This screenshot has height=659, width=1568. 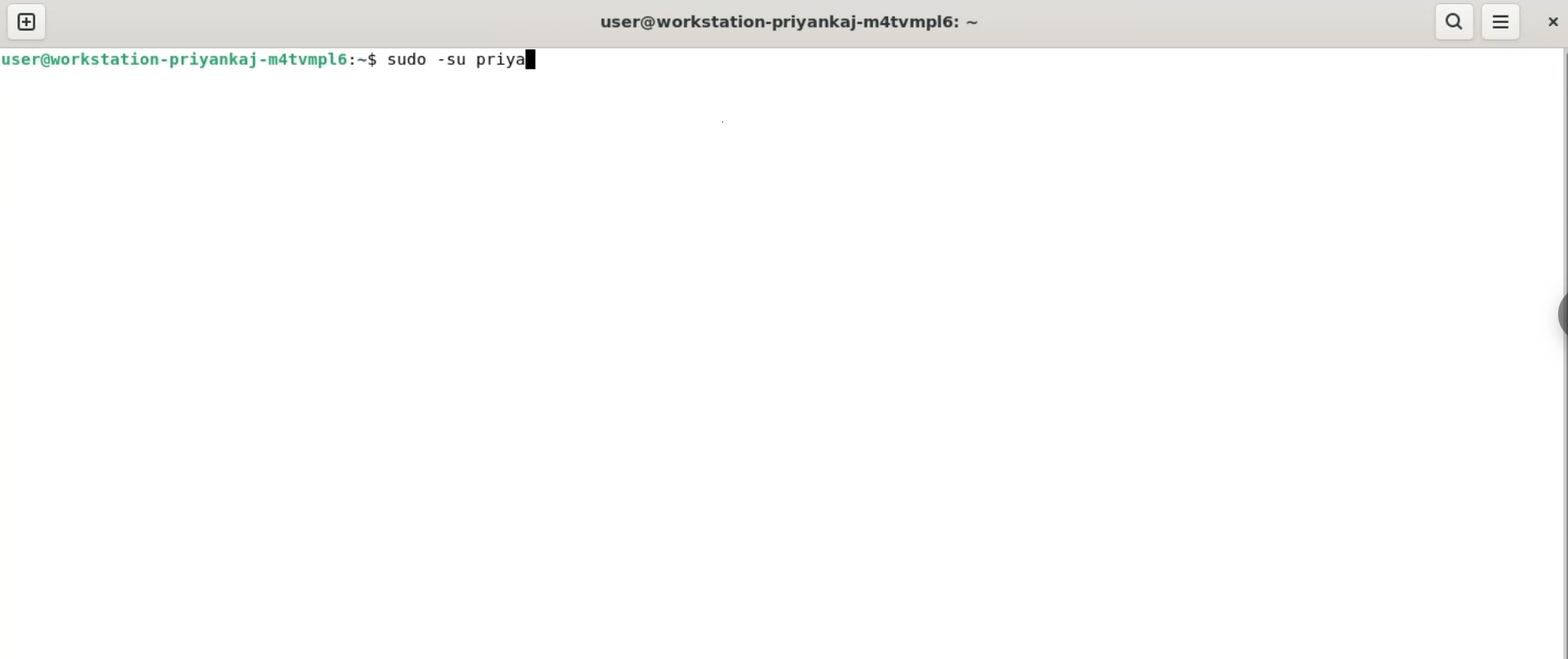 What do you see at coordinates (791, 21) in the screenshot?
I see `user@workstation-privankaj-m4tvmpl6: ~` at bounding box center [791, 21].